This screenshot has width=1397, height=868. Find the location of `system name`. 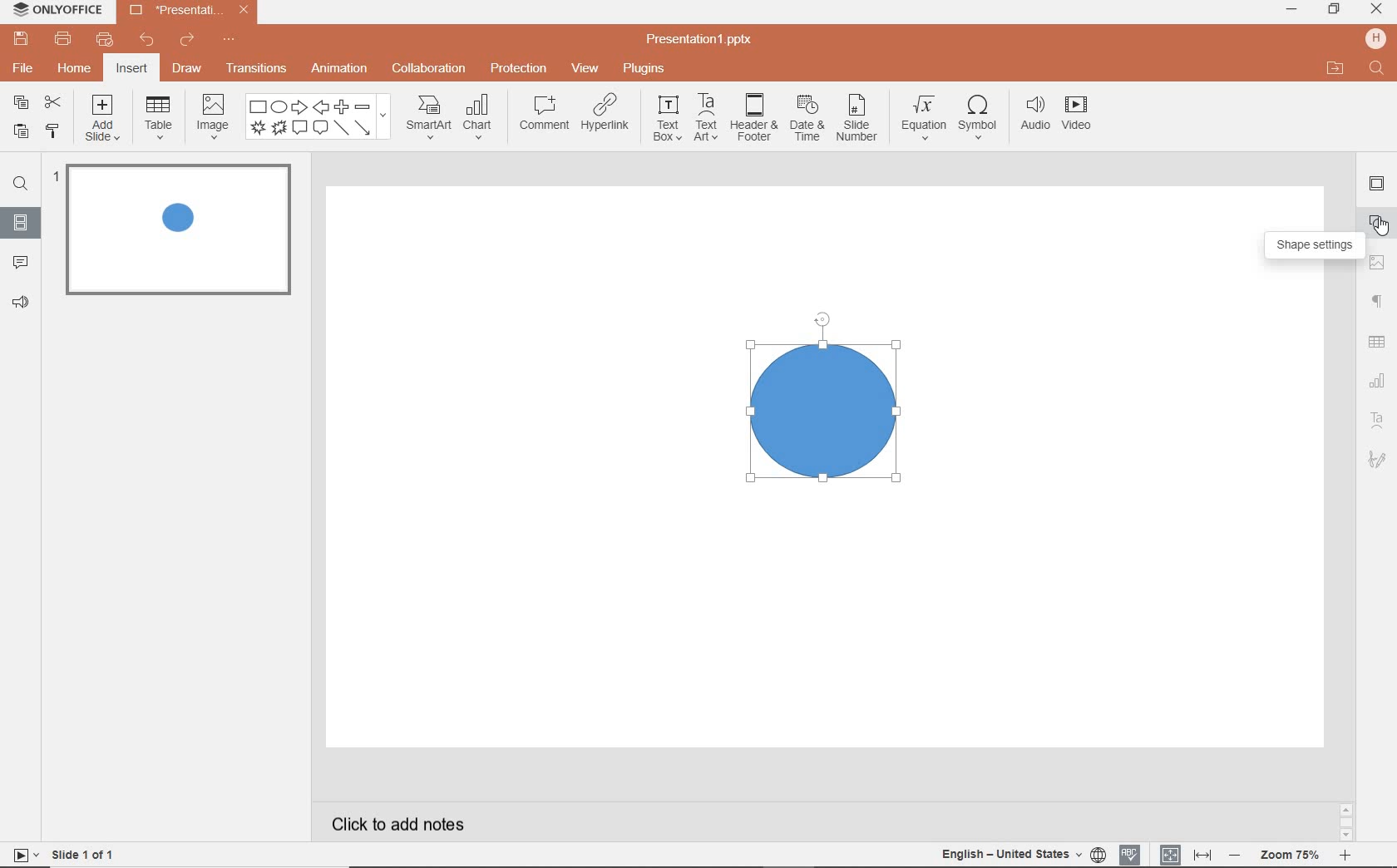

system name is located at coordinates (55, 11).